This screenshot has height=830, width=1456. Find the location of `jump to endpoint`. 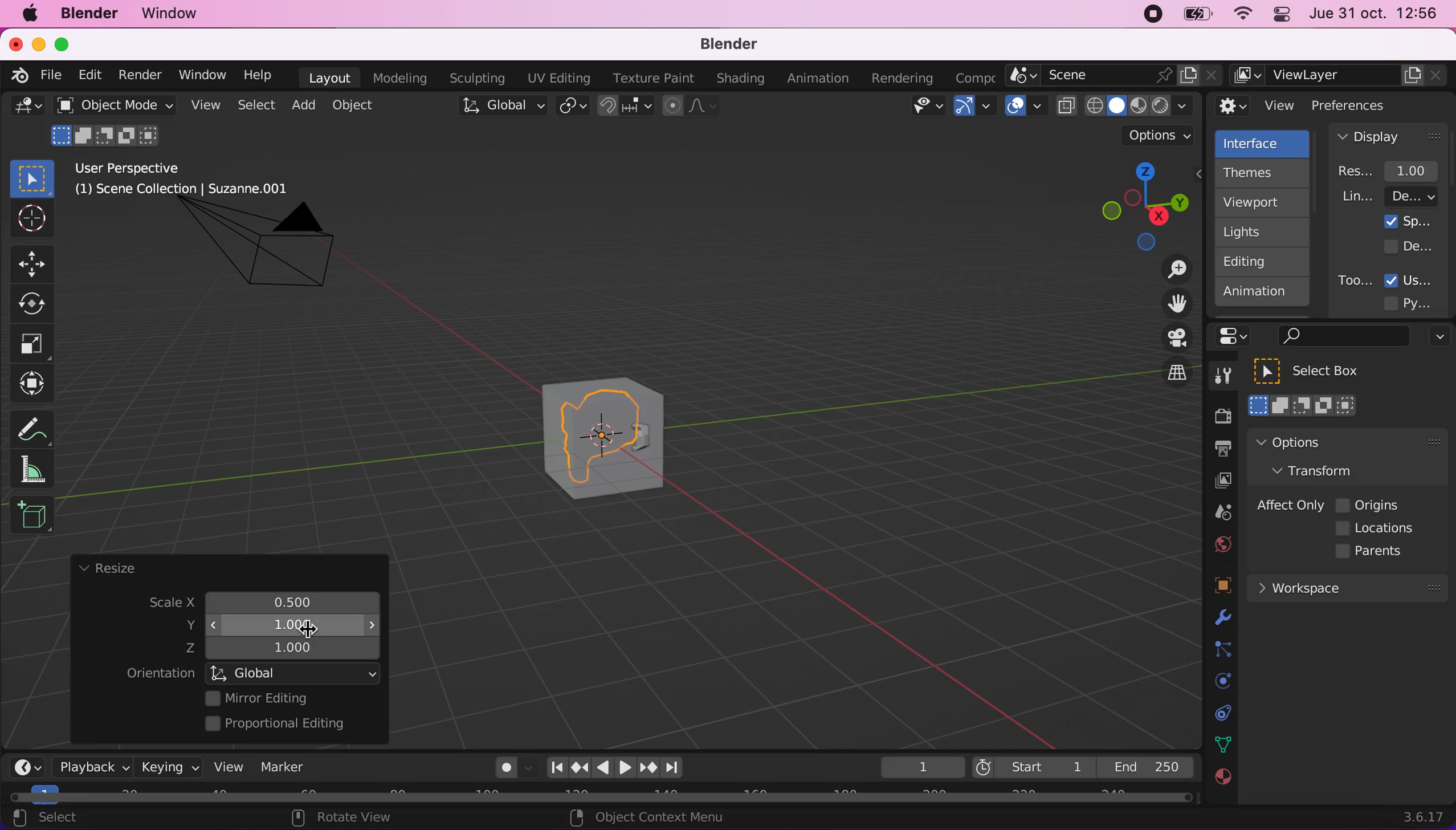

jump to endpoint is located at coordinates (678, 768).